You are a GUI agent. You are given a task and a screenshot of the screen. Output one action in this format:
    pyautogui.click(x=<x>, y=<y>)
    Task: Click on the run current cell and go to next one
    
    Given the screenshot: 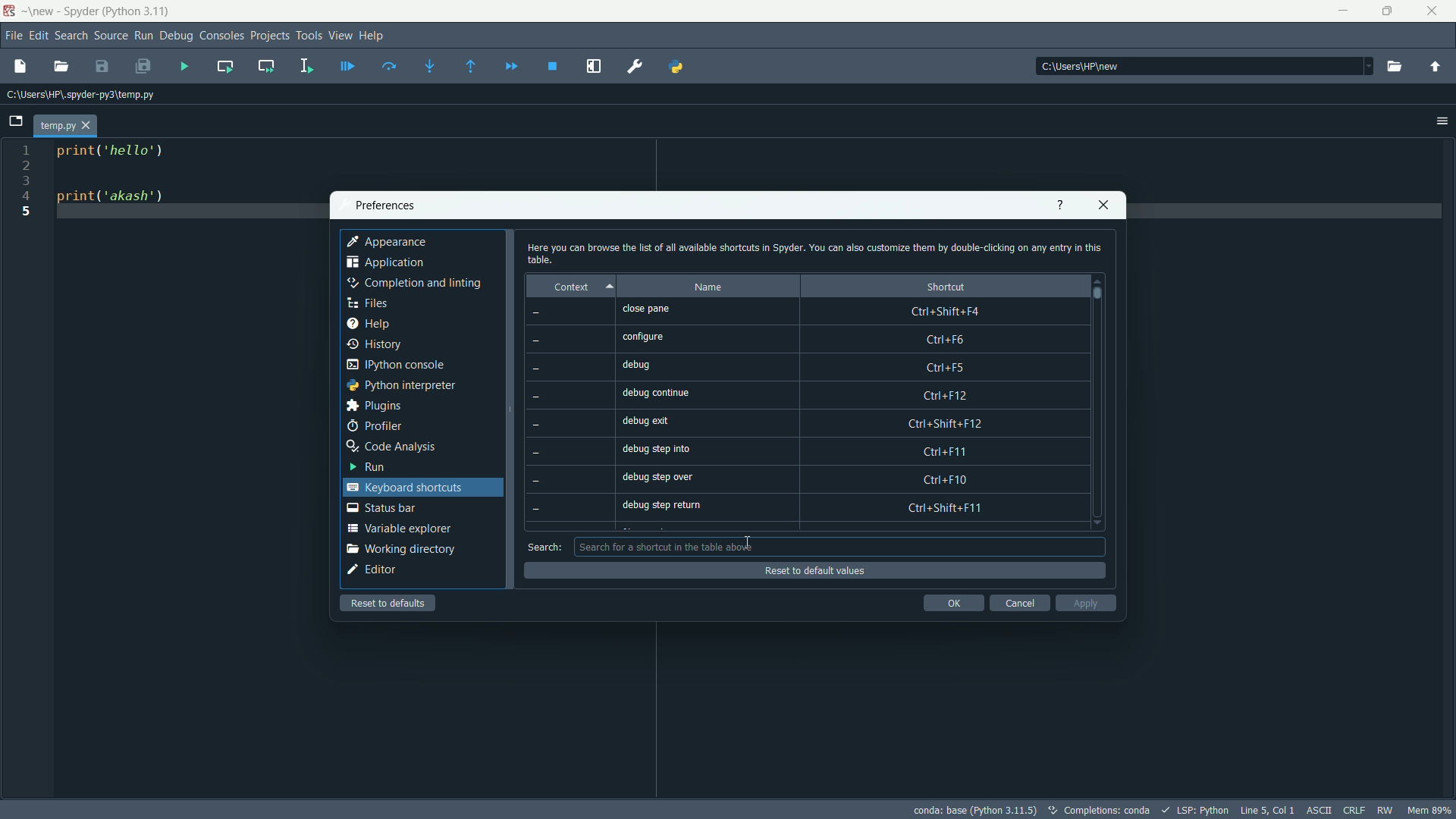 What is the action you would take?
    pyautogui.click(x=266, y=64)
    